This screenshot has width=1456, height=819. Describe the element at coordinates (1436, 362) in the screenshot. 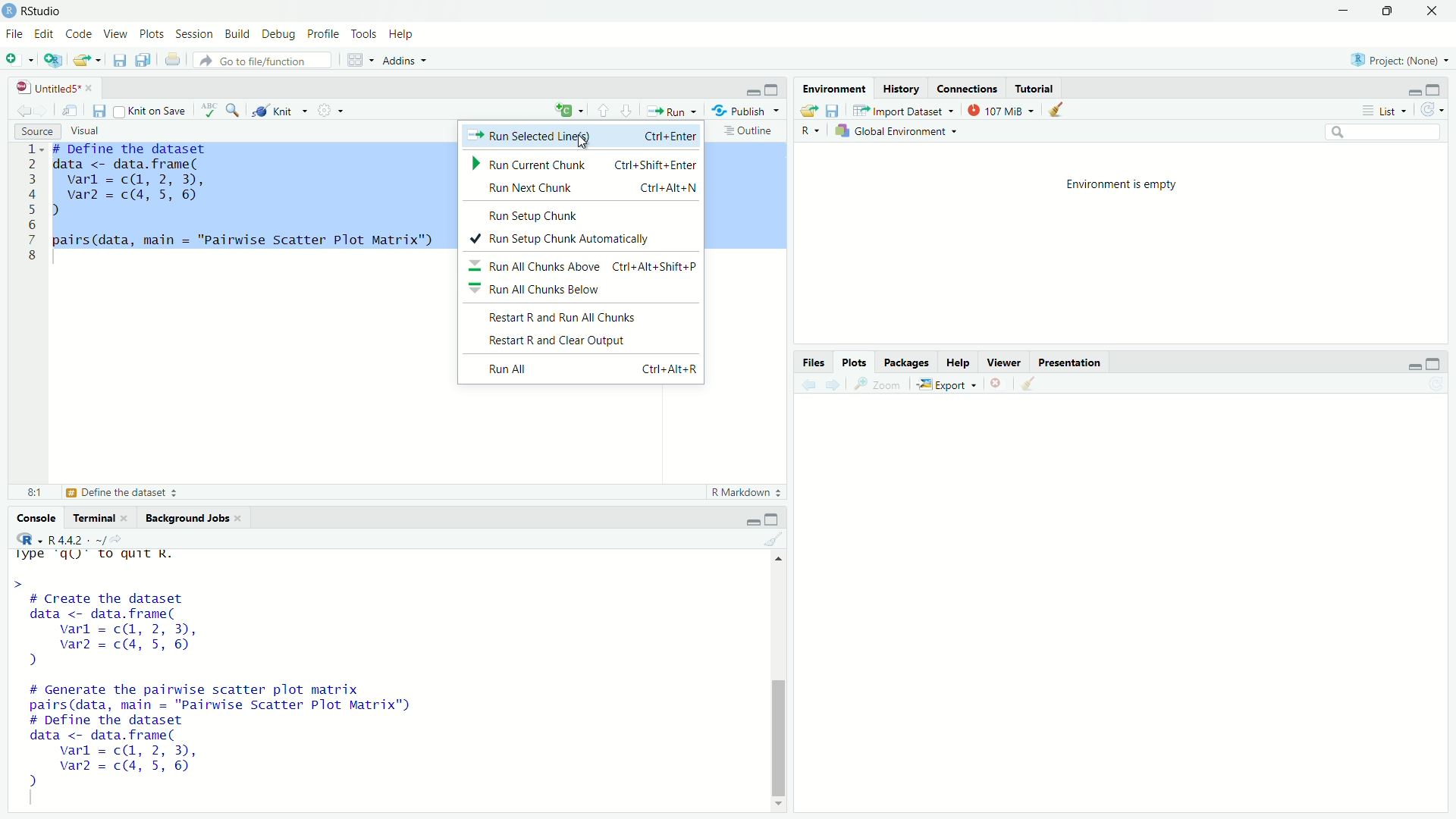

I see `Maximize` at that location.